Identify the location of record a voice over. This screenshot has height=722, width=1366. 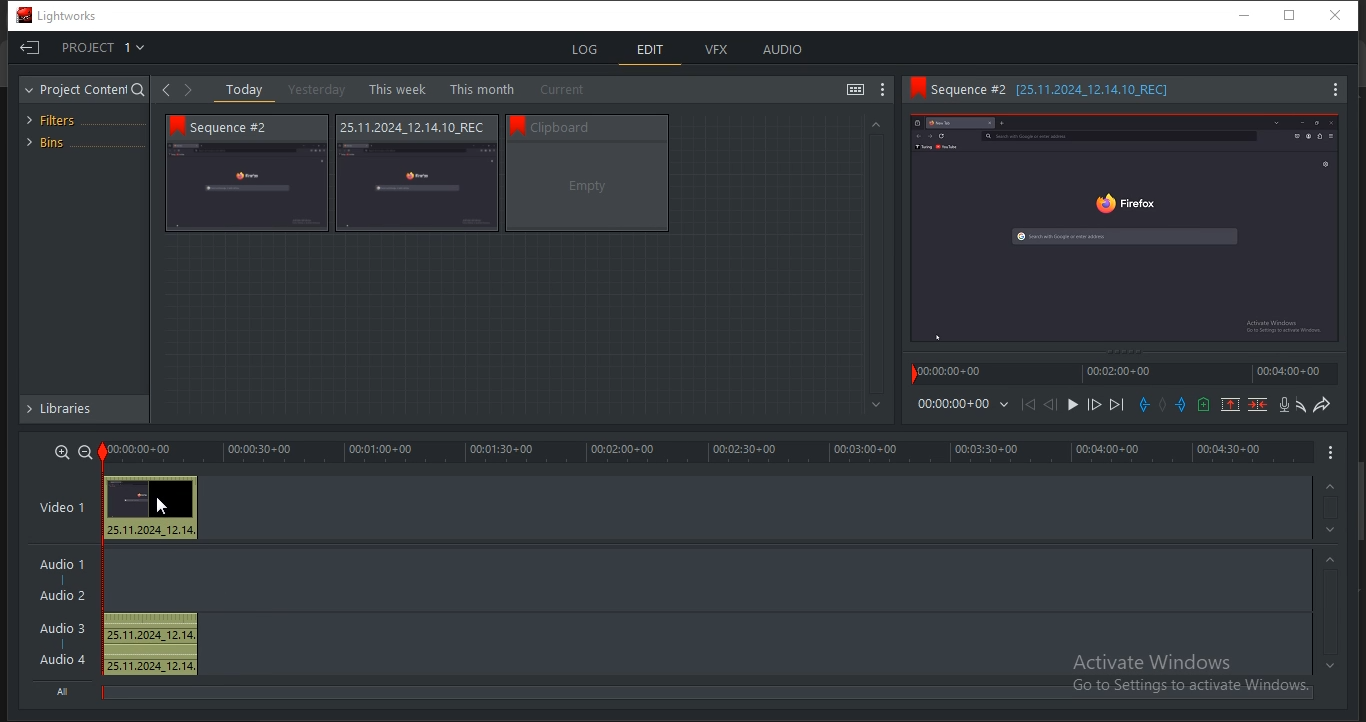
(1281, 404).